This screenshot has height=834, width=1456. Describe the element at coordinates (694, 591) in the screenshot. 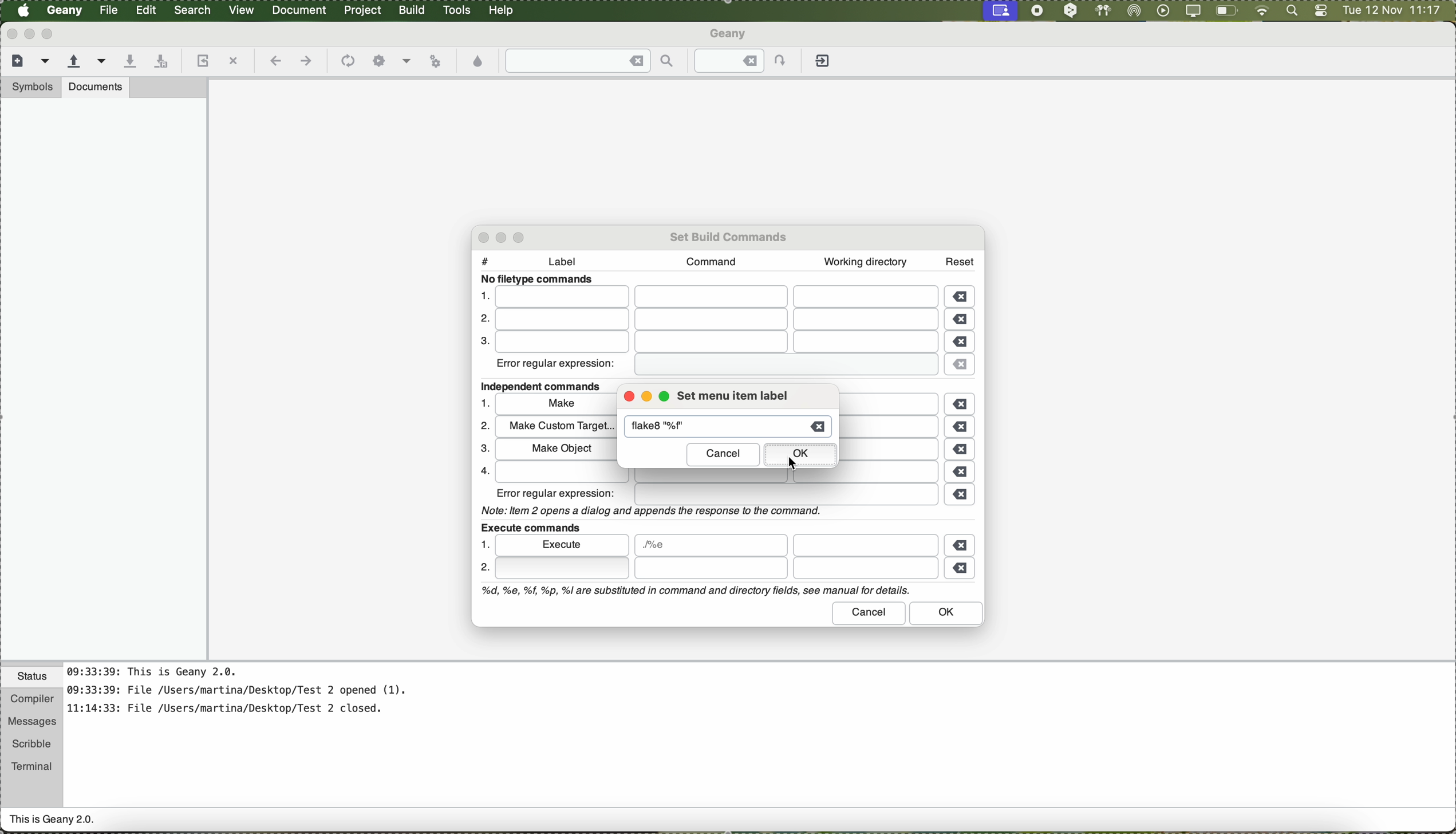

I see `note` at that location.